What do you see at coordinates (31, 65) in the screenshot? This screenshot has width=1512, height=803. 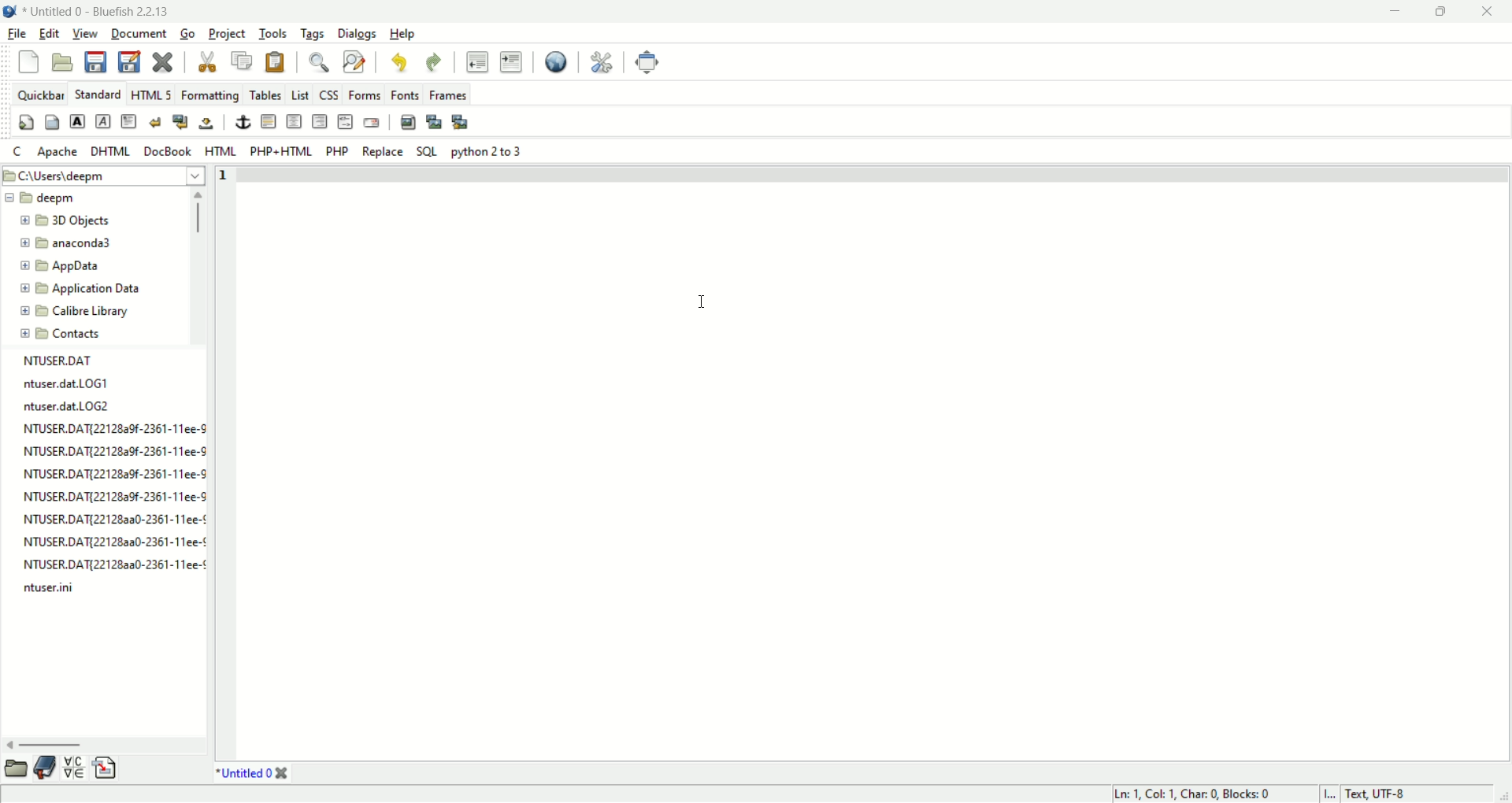 I see `new` at bounding box center [31, 65].